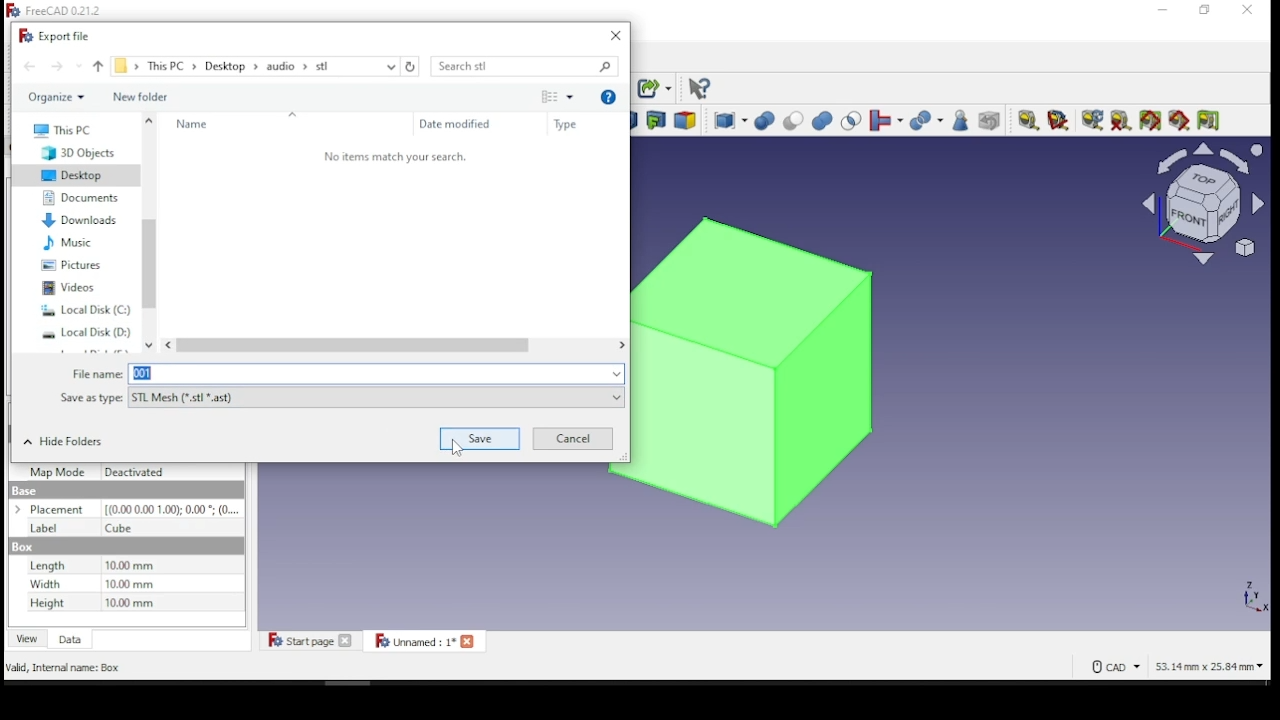  I want to click on music, so click(79, 243).